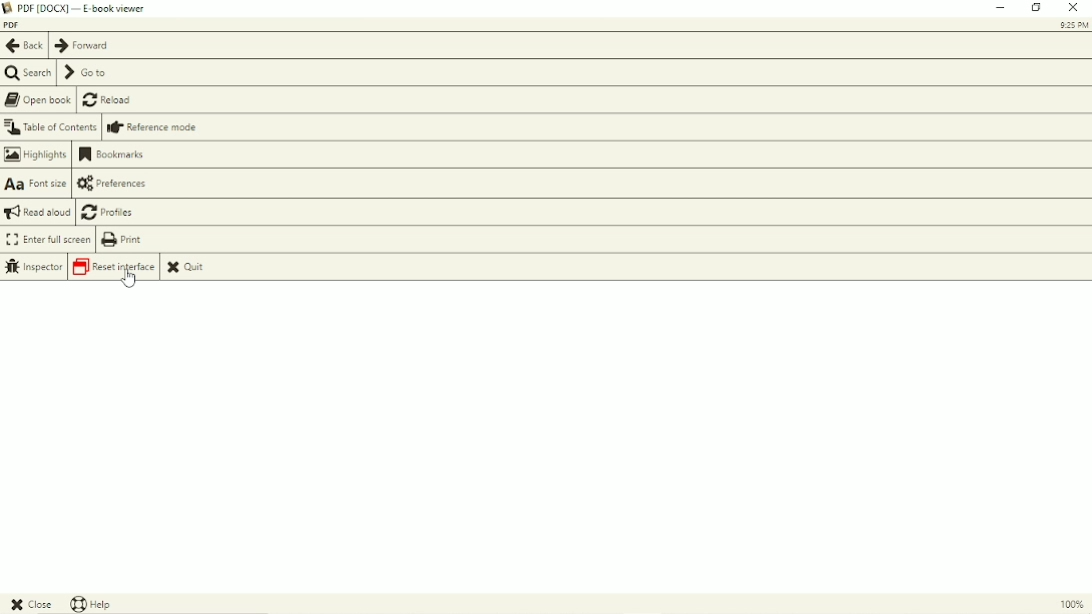  What do you see at coordinates (23, 46) in the screenshot?
I see `Back` at bounding box center [23, 46].